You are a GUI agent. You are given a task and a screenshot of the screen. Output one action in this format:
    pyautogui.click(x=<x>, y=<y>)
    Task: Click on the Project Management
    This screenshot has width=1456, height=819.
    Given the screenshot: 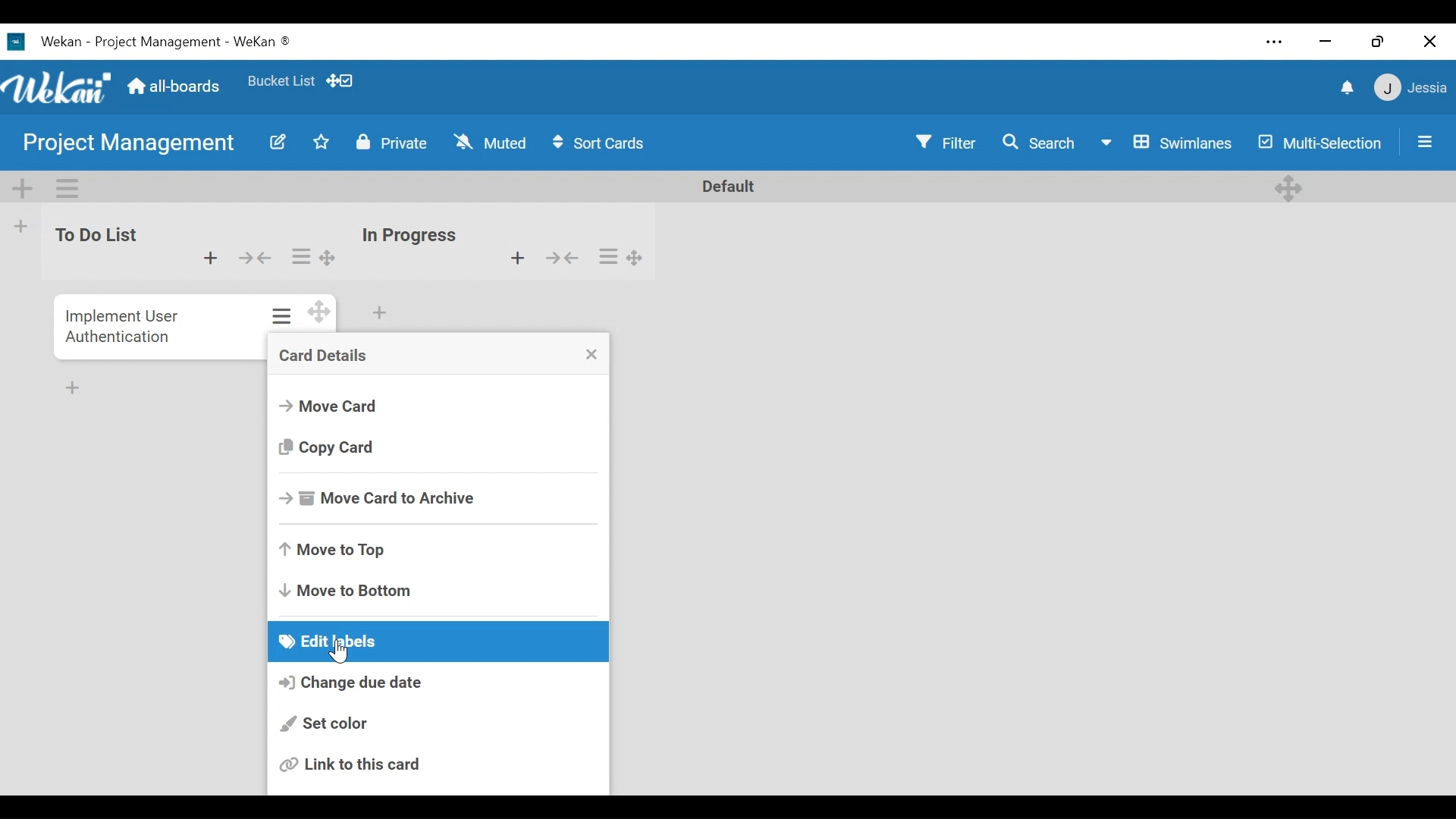 What is the action you would take?
    pyautogui.click(x=129, y=146)
    